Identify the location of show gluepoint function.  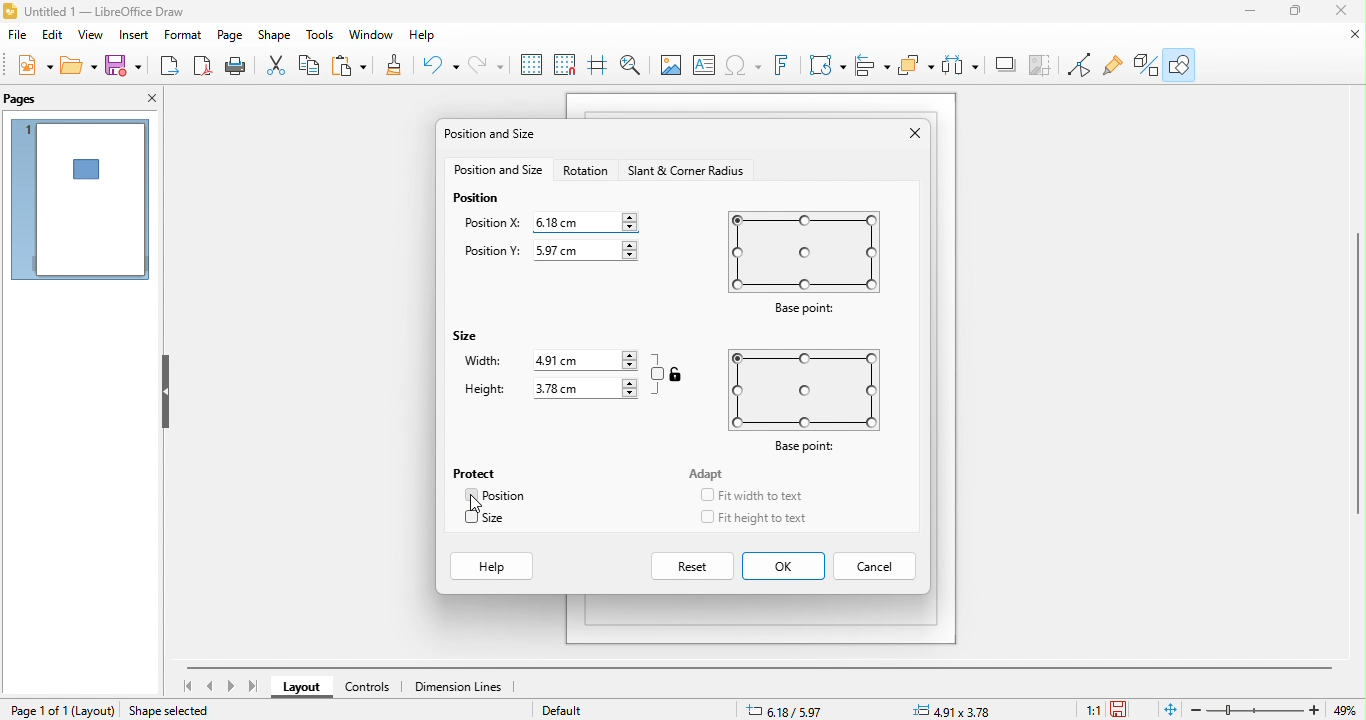
(1111, 66).